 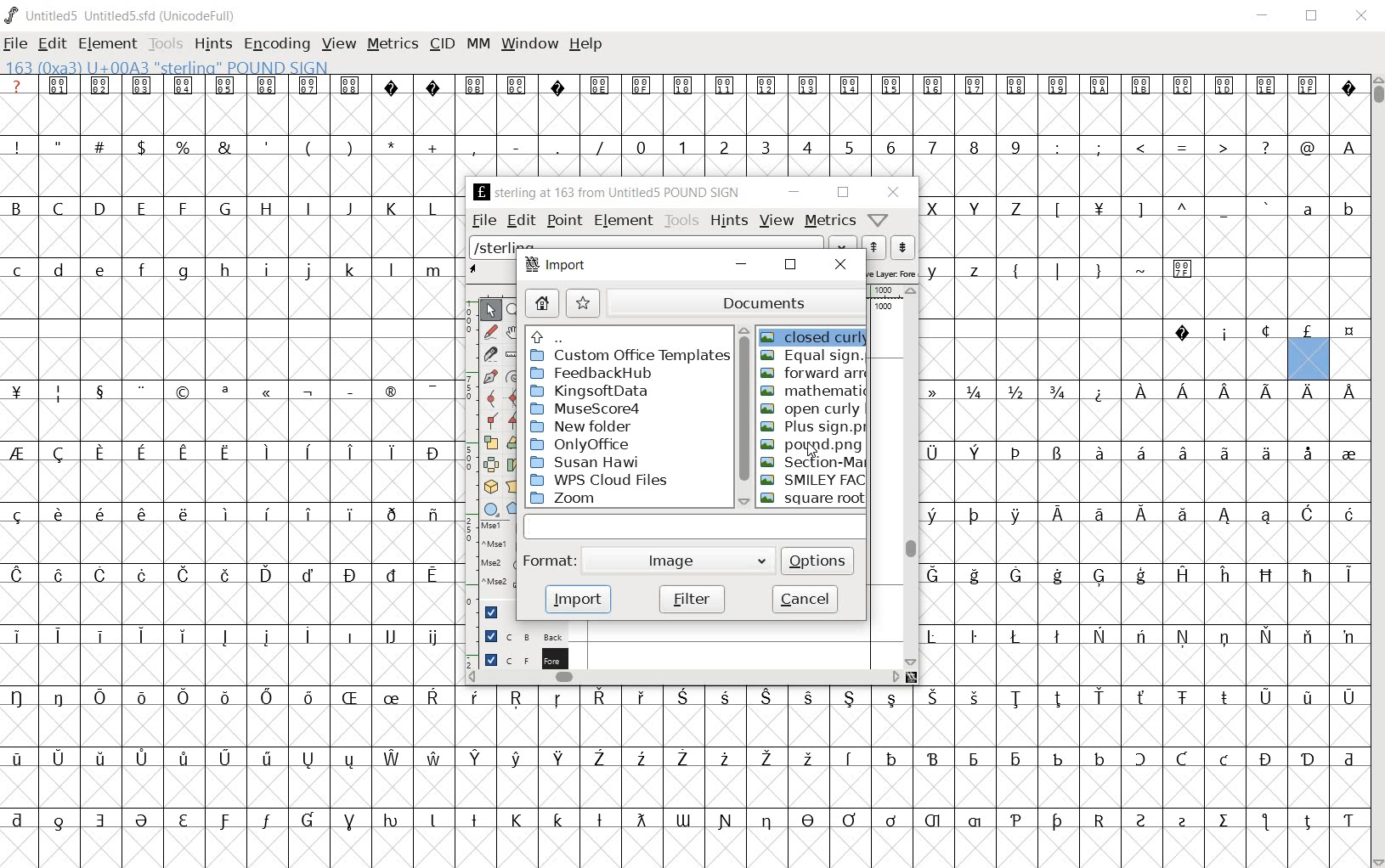 I want to click on Symbol, so click(x=514, y=759).